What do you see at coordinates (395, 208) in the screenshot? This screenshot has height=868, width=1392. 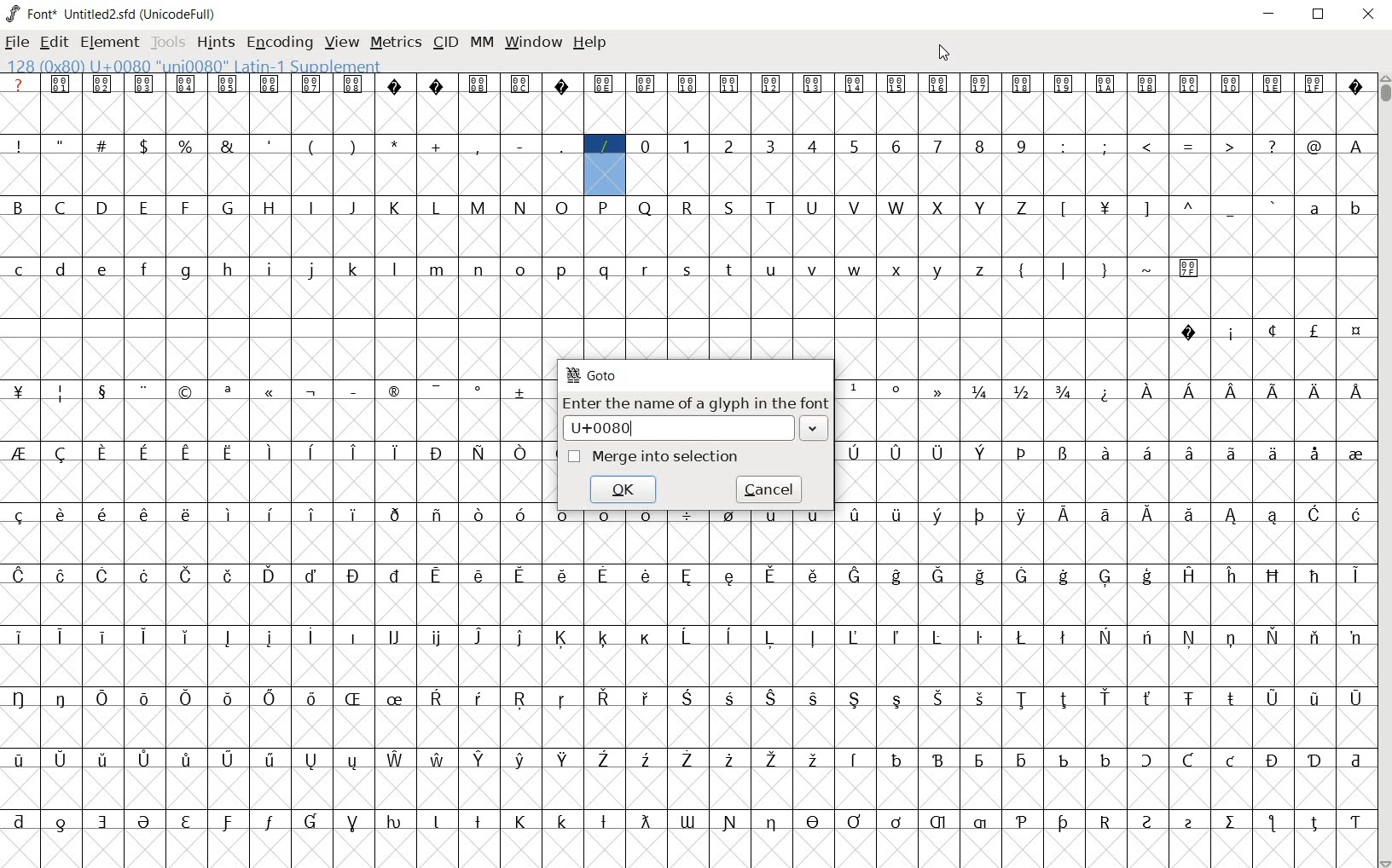 I see `glyph` at bounding box center [395, 208].